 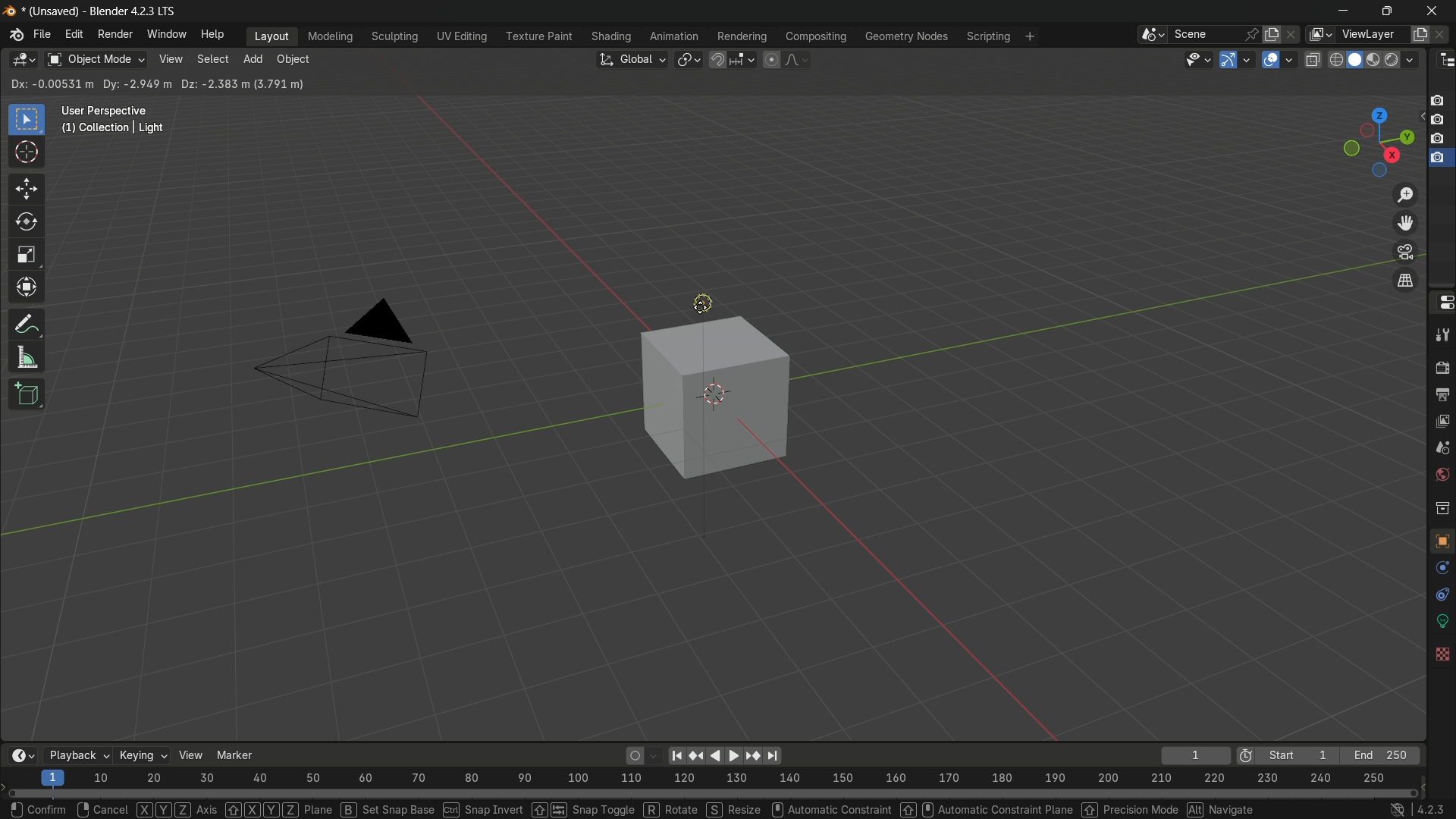 I want to click on tools, so click(x=1442, y=337).